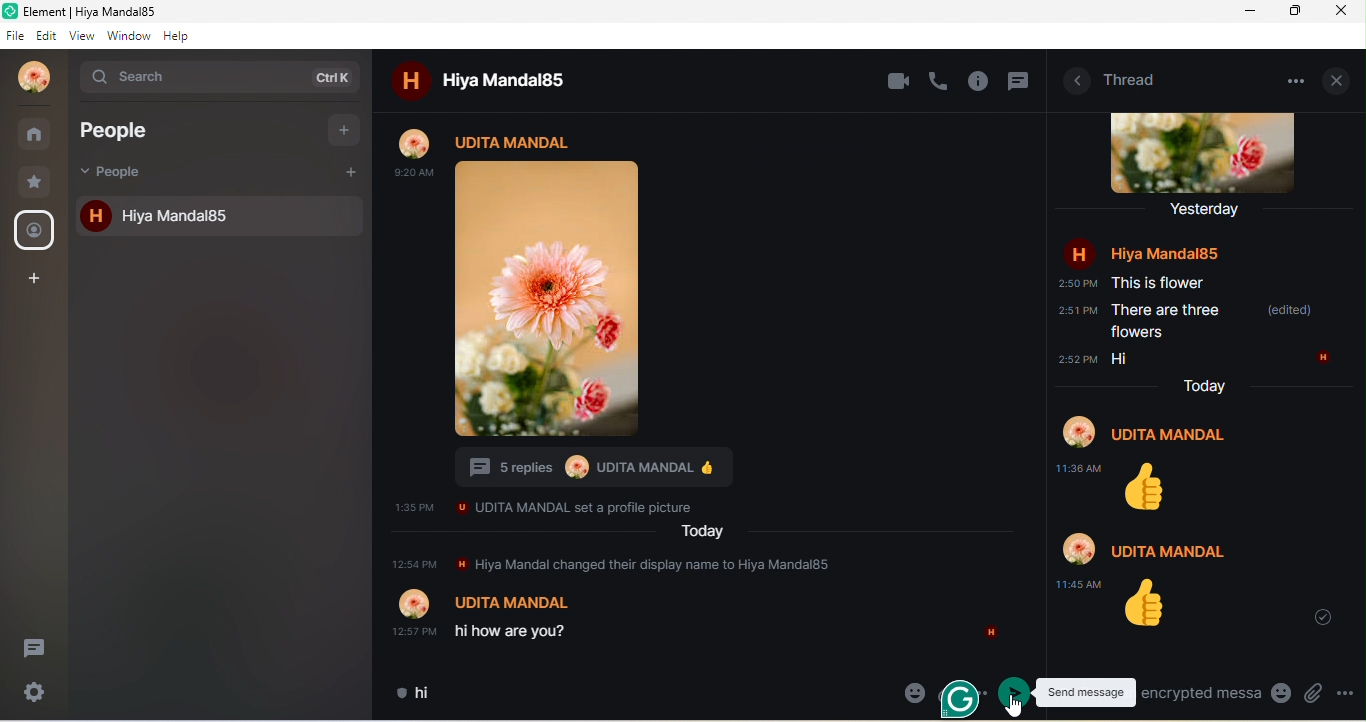  Describe the element at coordinates (515, 601) in the screenshot. I see `Udita Mandal` at that location.